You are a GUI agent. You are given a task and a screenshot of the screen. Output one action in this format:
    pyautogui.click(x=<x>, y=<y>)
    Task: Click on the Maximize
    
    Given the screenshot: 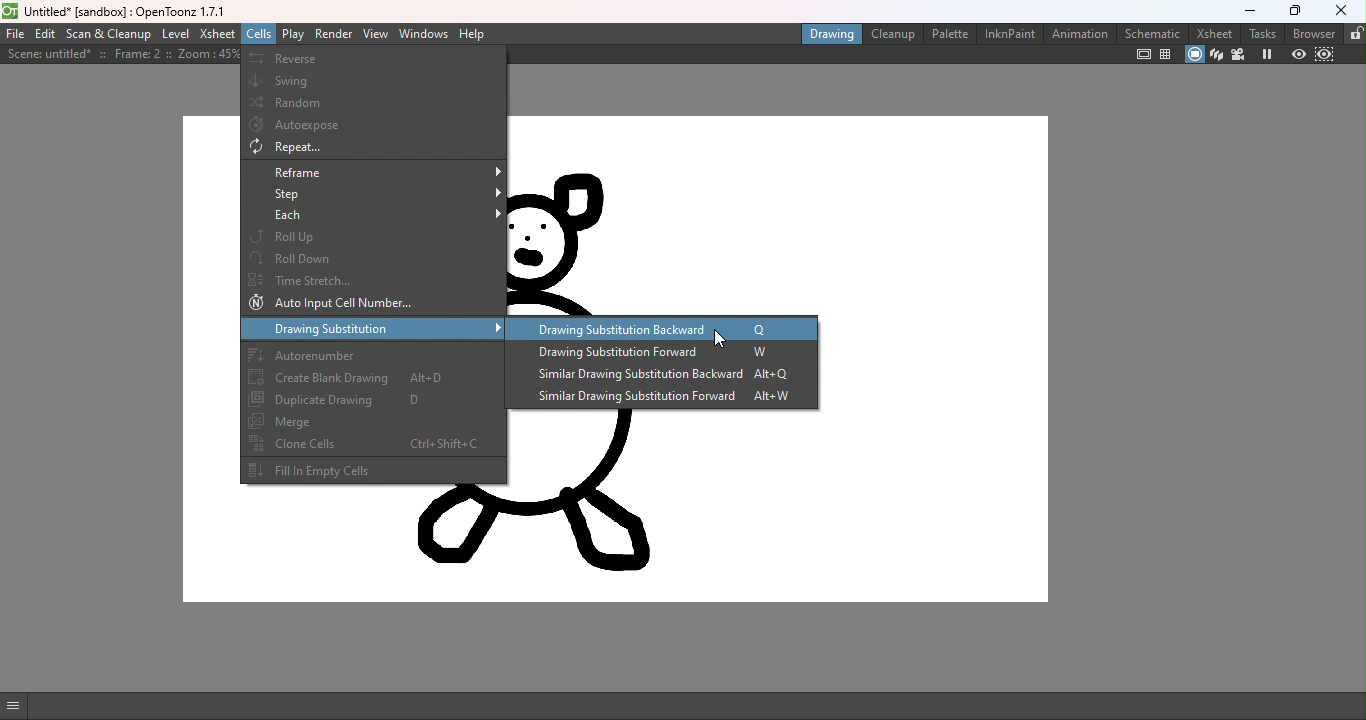 What is the action you would take?
    pyautogui.click(x=1298, y=9)
    